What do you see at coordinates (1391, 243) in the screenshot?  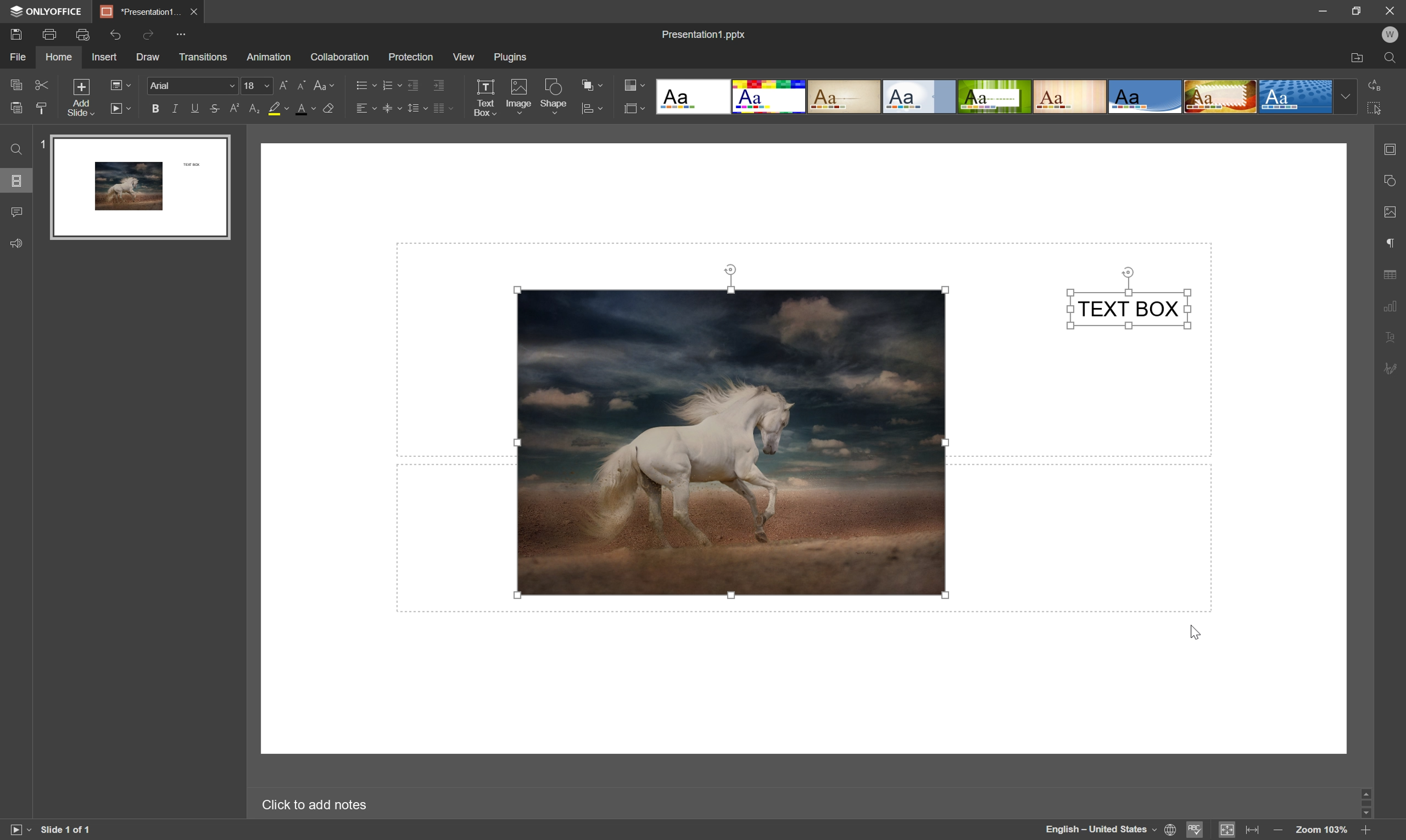 I see `paragraph settings` at bounding box center [1391, 243].